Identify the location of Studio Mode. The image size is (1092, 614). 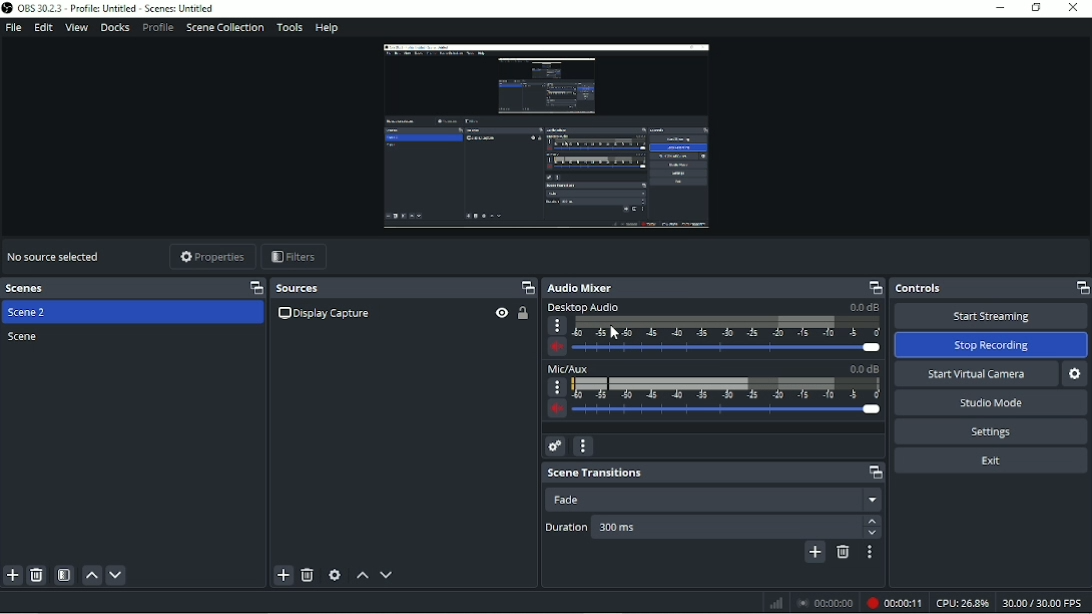
(993, 403).